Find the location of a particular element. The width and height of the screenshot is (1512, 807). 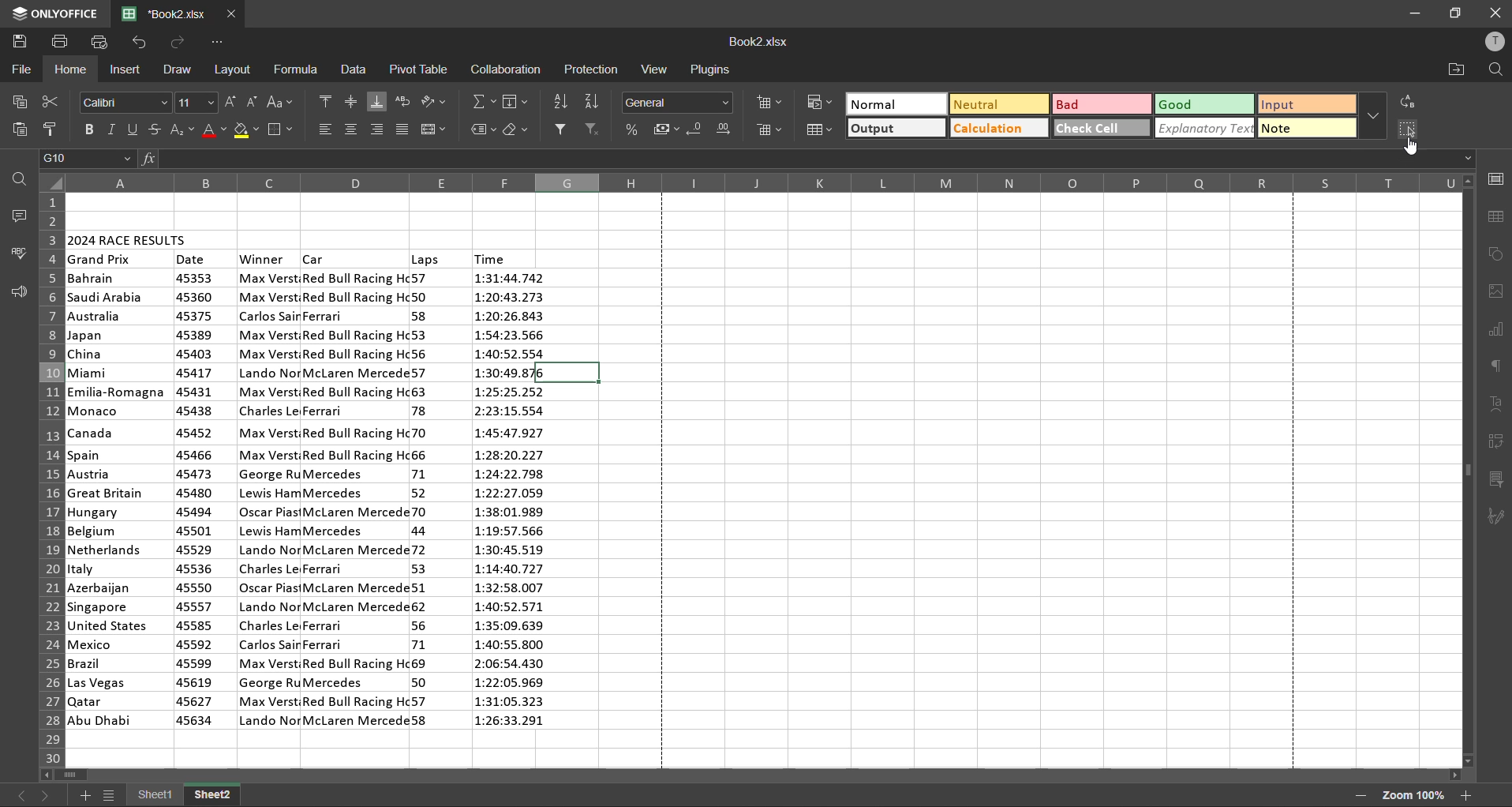

accounting is located at coordinates (668, 128).